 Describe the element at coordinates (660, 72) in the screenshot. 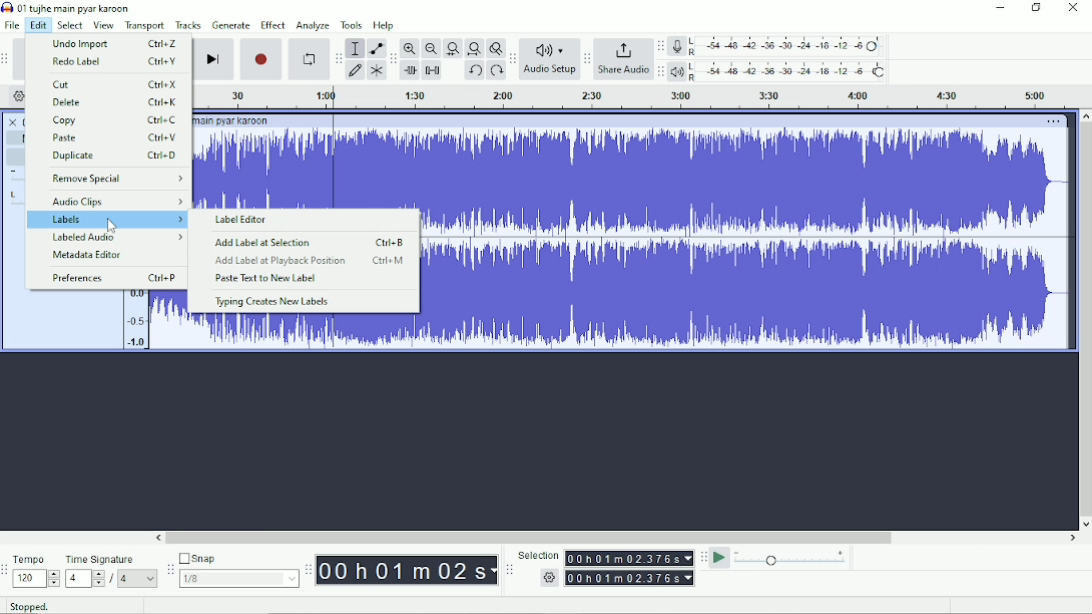

I see `Audacity playback meter toolbar` at that location.